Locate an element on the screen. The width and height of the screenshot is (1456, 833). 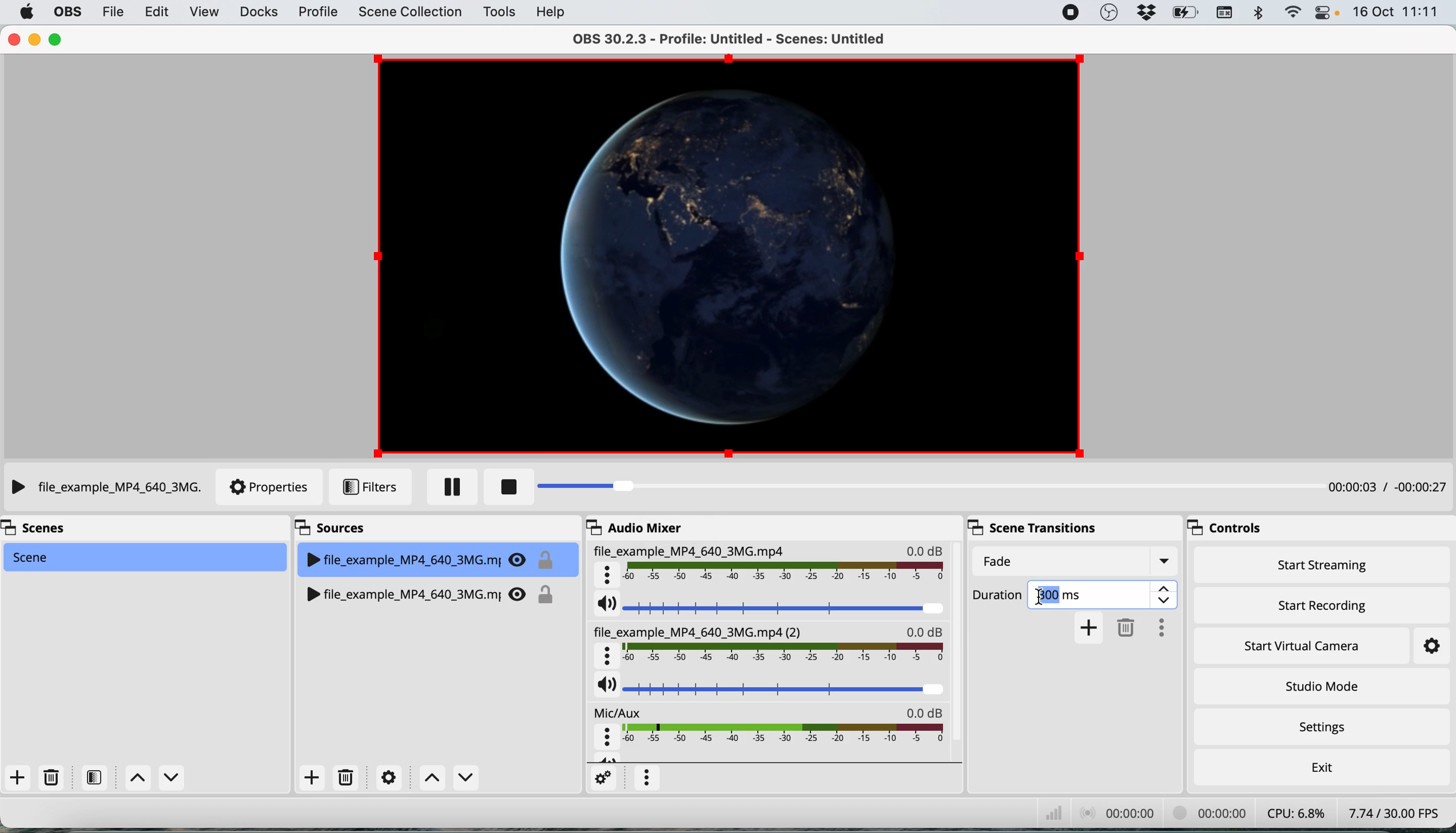
file is located at coordinates (112, 13).